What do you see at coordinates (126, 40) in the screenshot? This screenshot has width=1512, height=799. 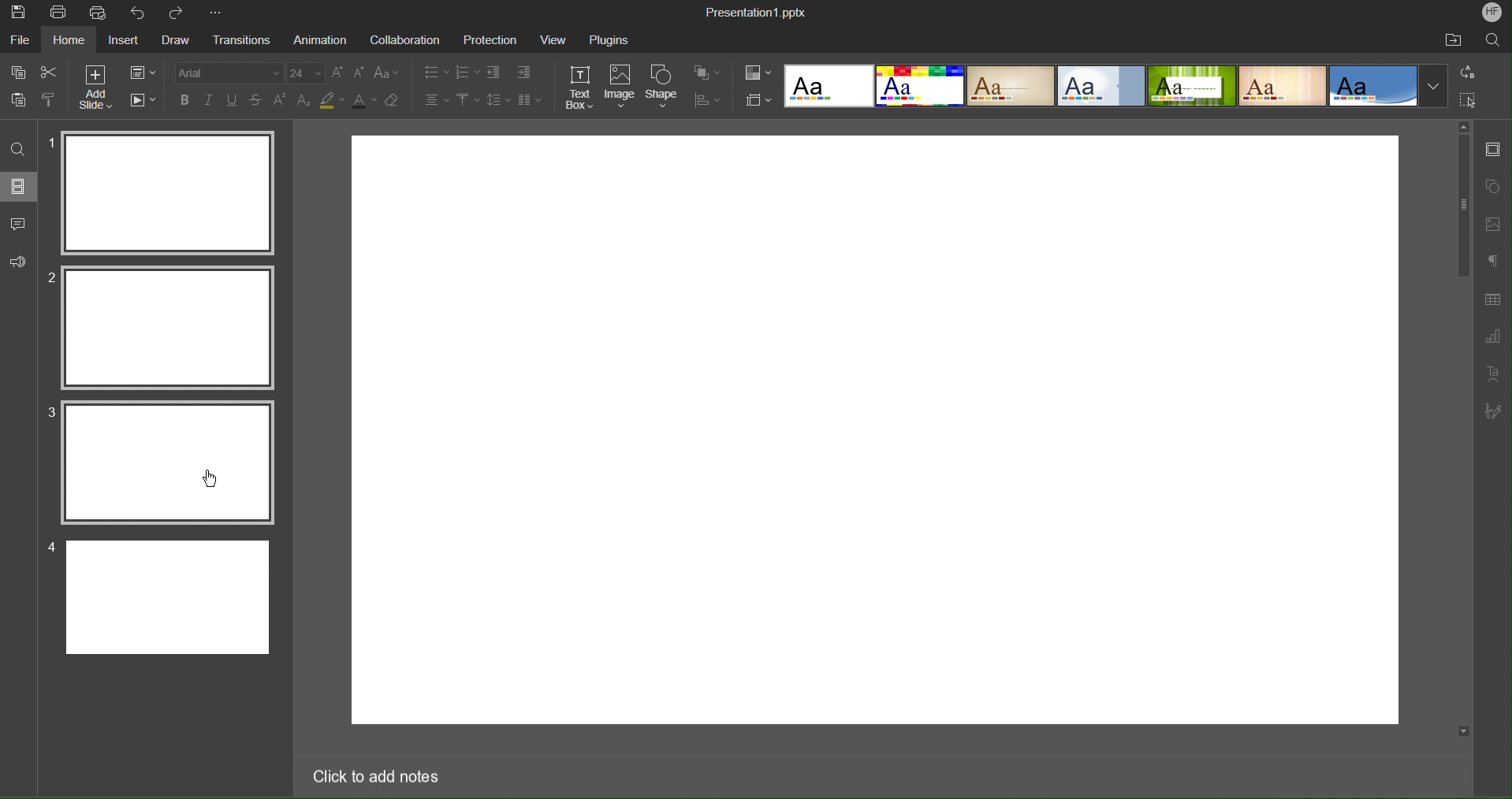 I see `Insert` at bounding box center [126, 40].